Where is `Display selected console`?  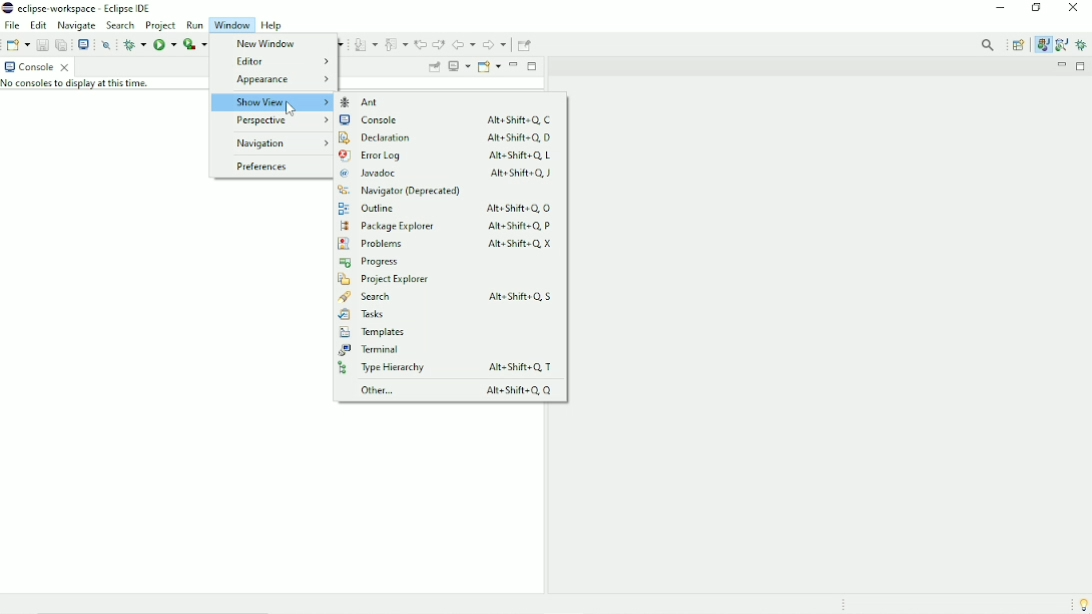
Display selected console is located at coordinates (459, 67).